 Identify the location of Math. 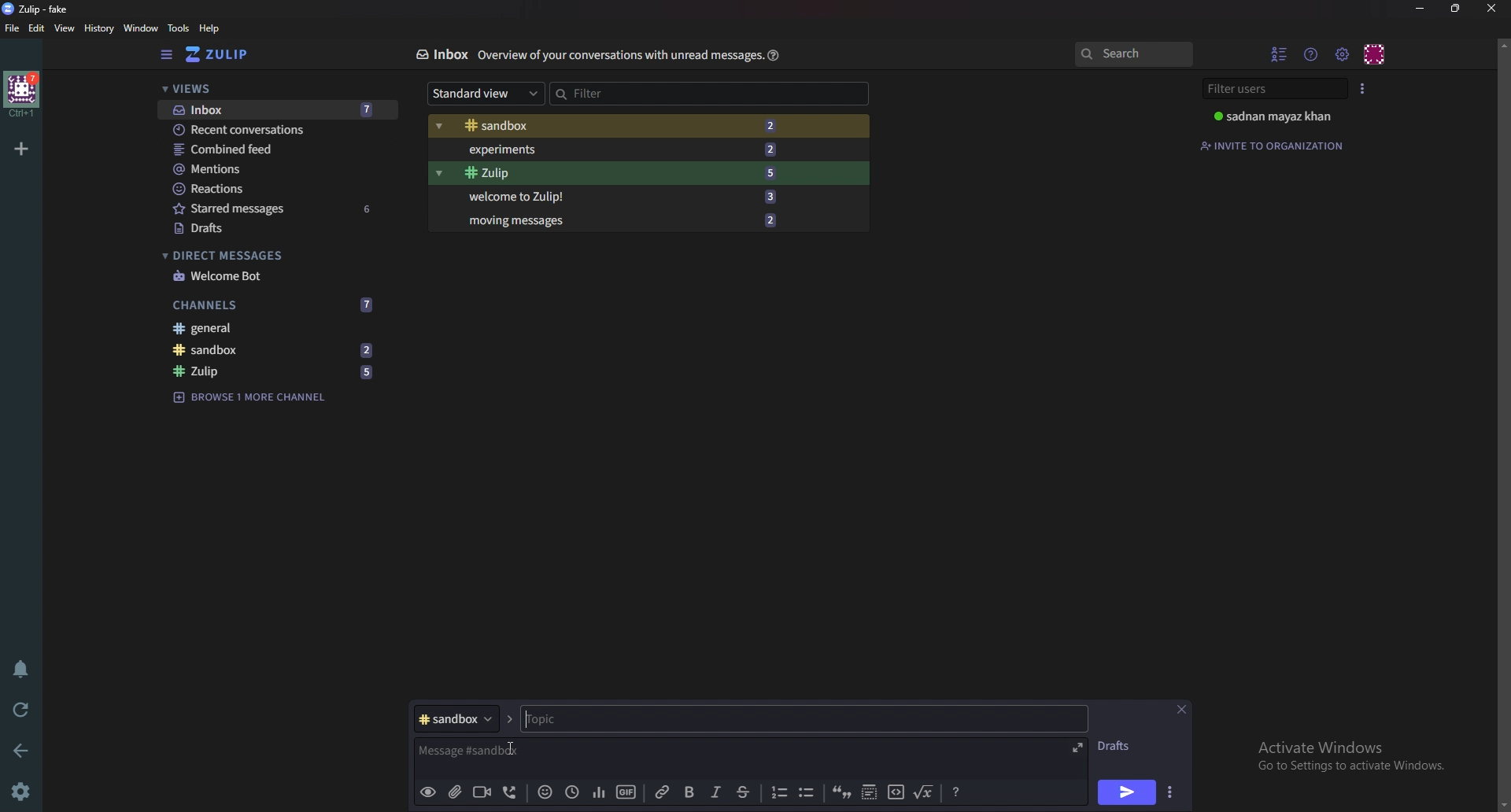
(925, 790).